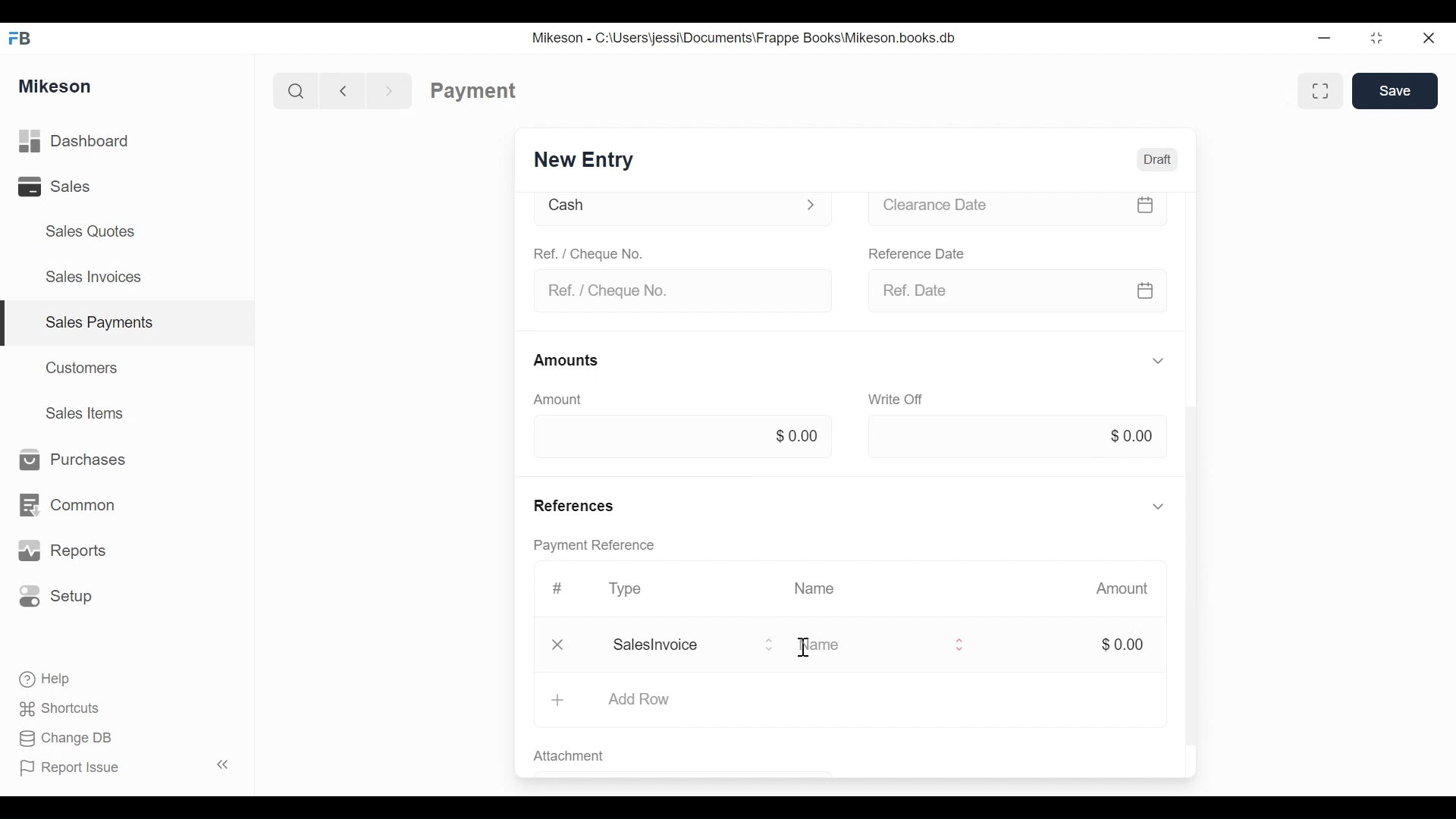 This screenshot has width=1456, height=819. What do you see at coordinates (350, 89) in the screenshot?
I see `Back` at bounding box center [350, 89].